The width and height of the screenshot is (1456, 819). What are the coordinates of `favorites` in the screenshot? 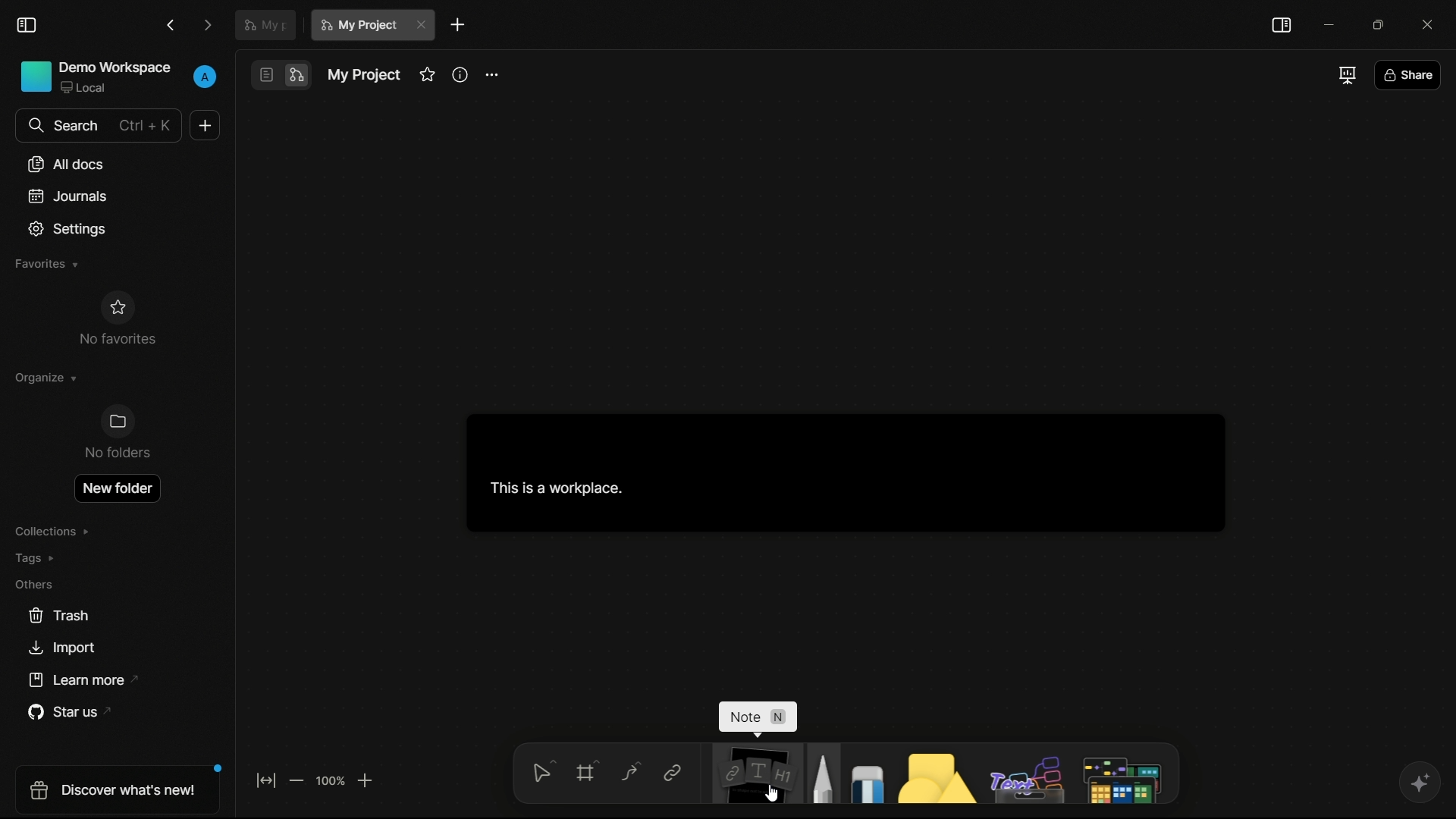 It's located at (426, 76).